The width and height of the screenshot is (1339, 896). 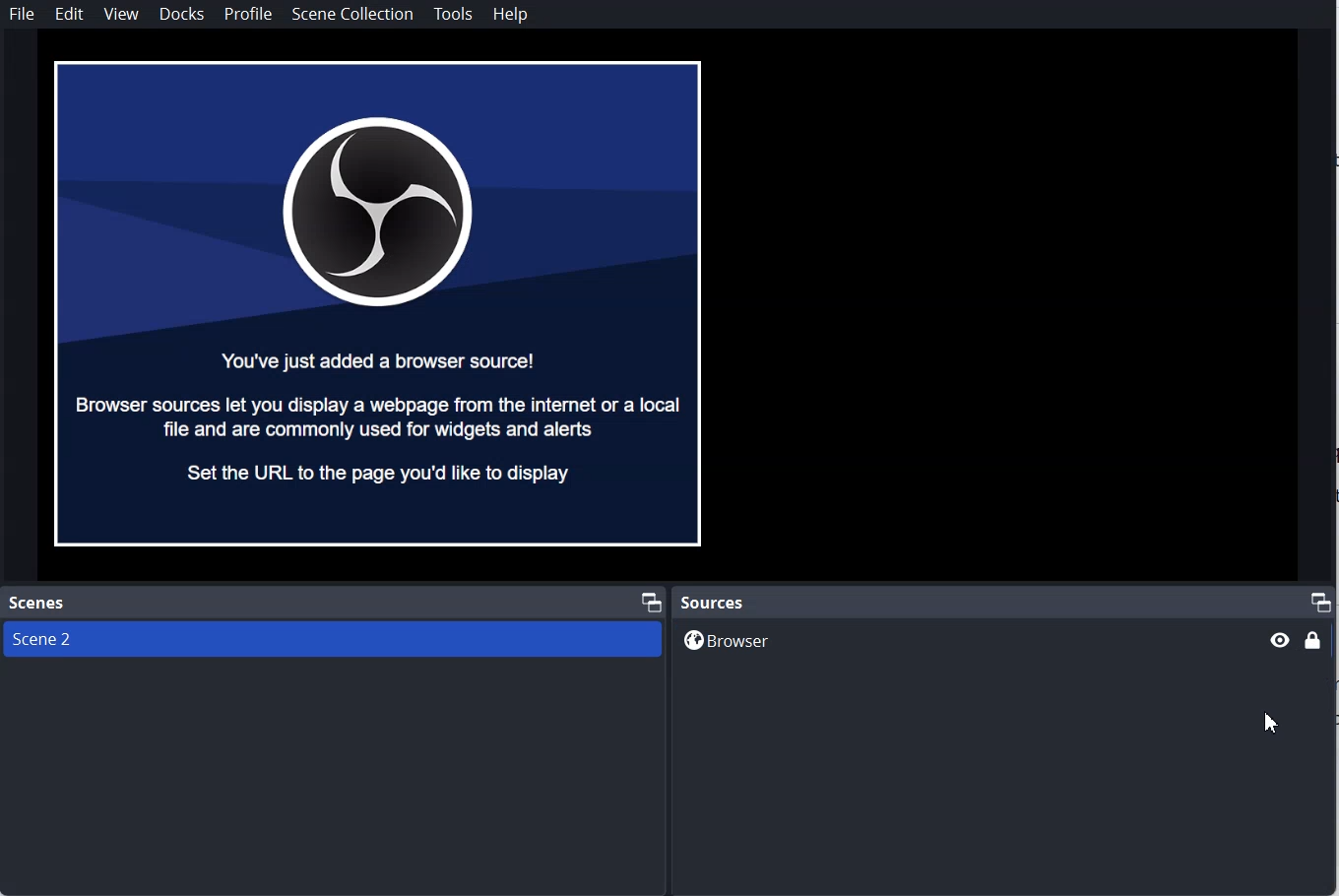 I want to click on Scene Collection, so click(x=353, y=14).